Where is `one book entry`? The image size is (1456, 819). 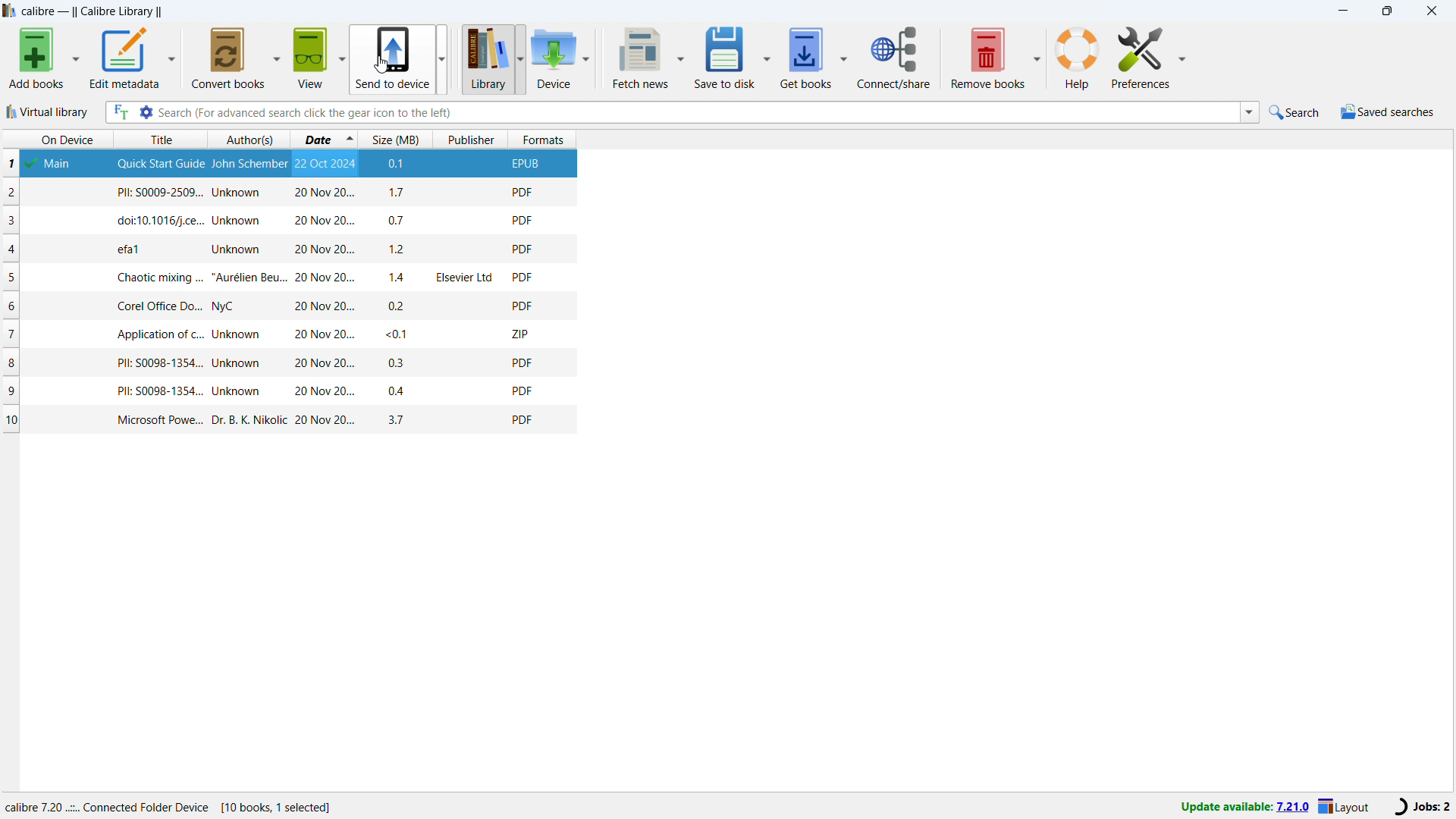 one book entry is located at coordinates (286, 306).